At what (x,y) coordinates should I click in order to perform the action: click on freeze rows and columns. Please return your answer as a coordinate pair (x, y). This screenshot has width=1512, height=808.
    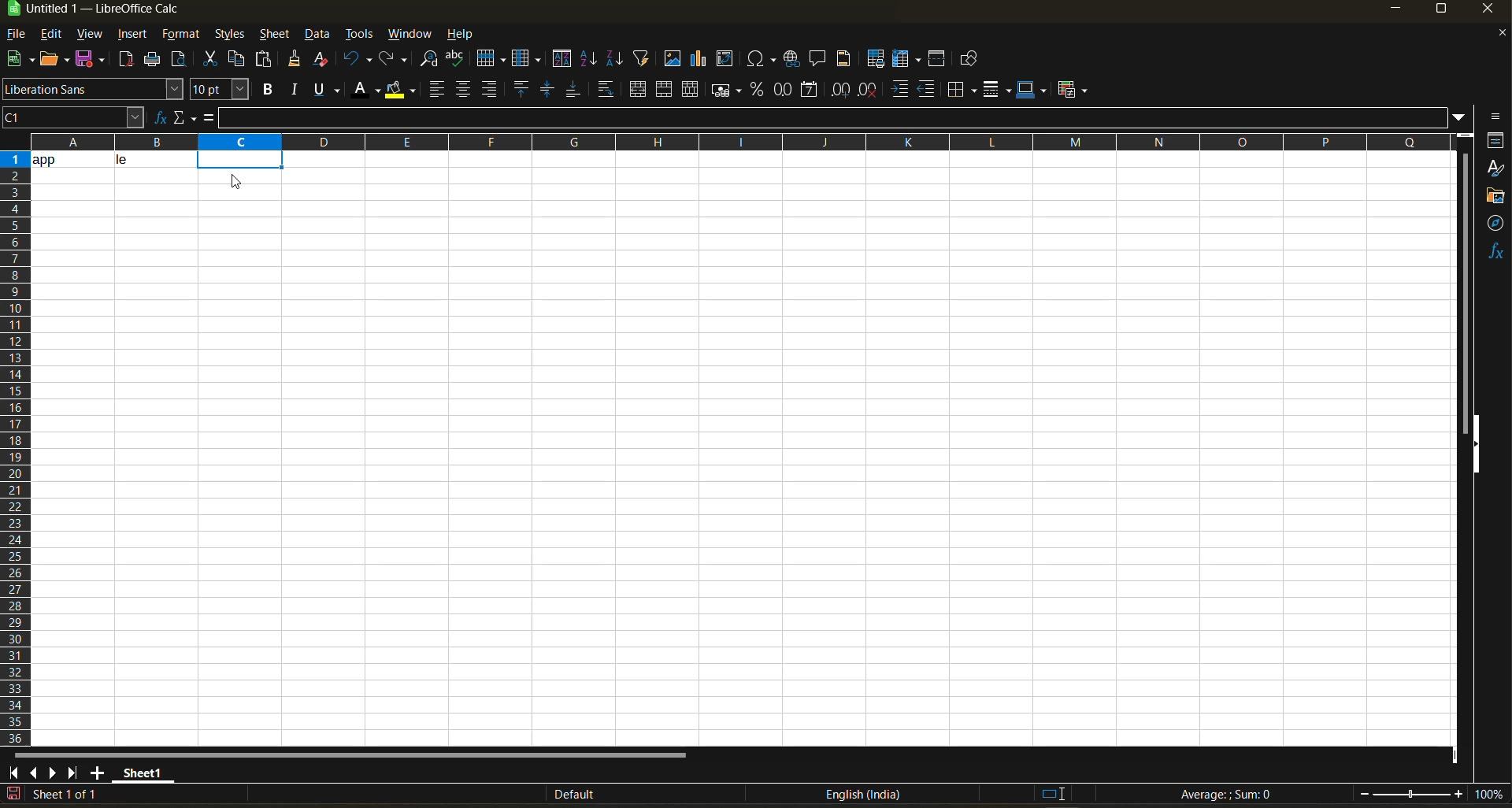
    Looking at the image, I should click on (910, 60).